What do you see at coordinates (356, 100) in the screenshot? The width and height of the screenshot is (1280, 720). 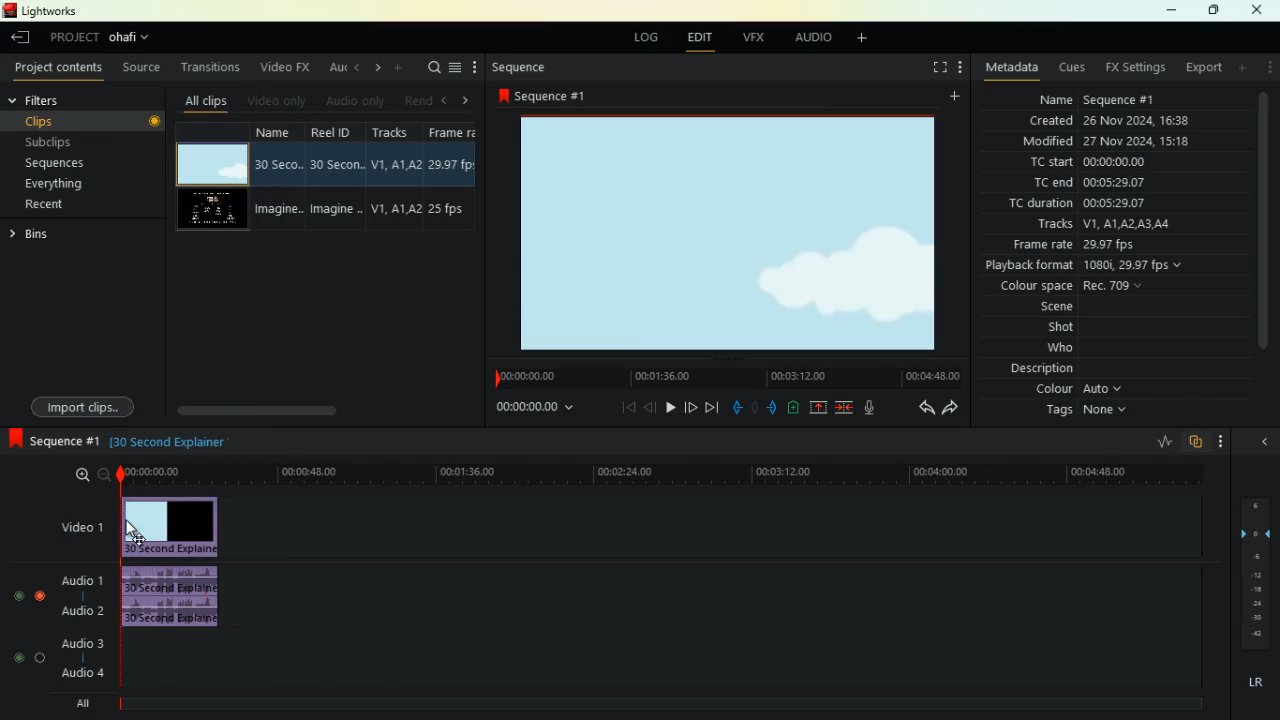 I see `audio only` at bounding box center [356, 100].